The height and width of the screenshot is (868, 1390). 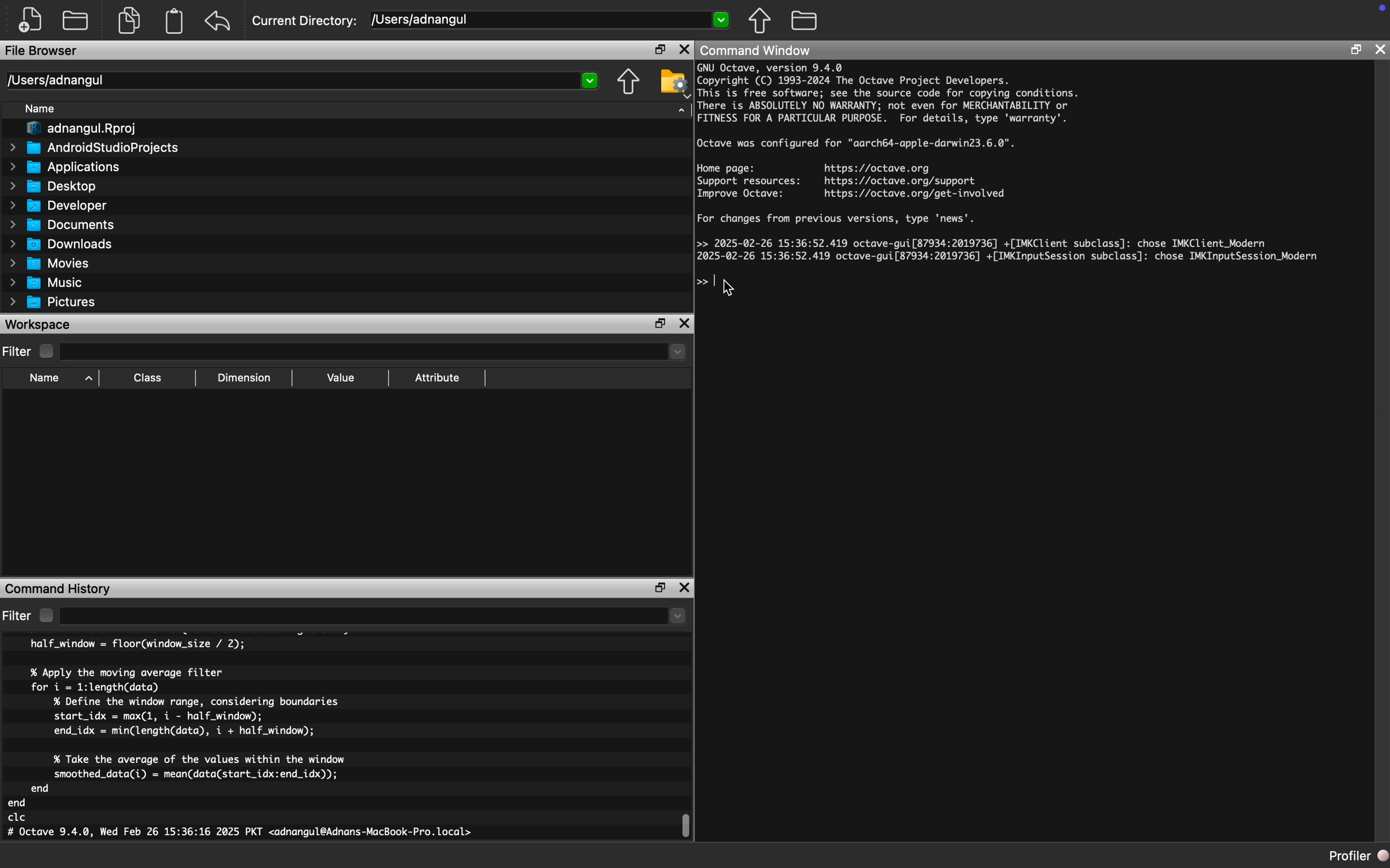 I want to click on Movies, so click(x=50, y=264).